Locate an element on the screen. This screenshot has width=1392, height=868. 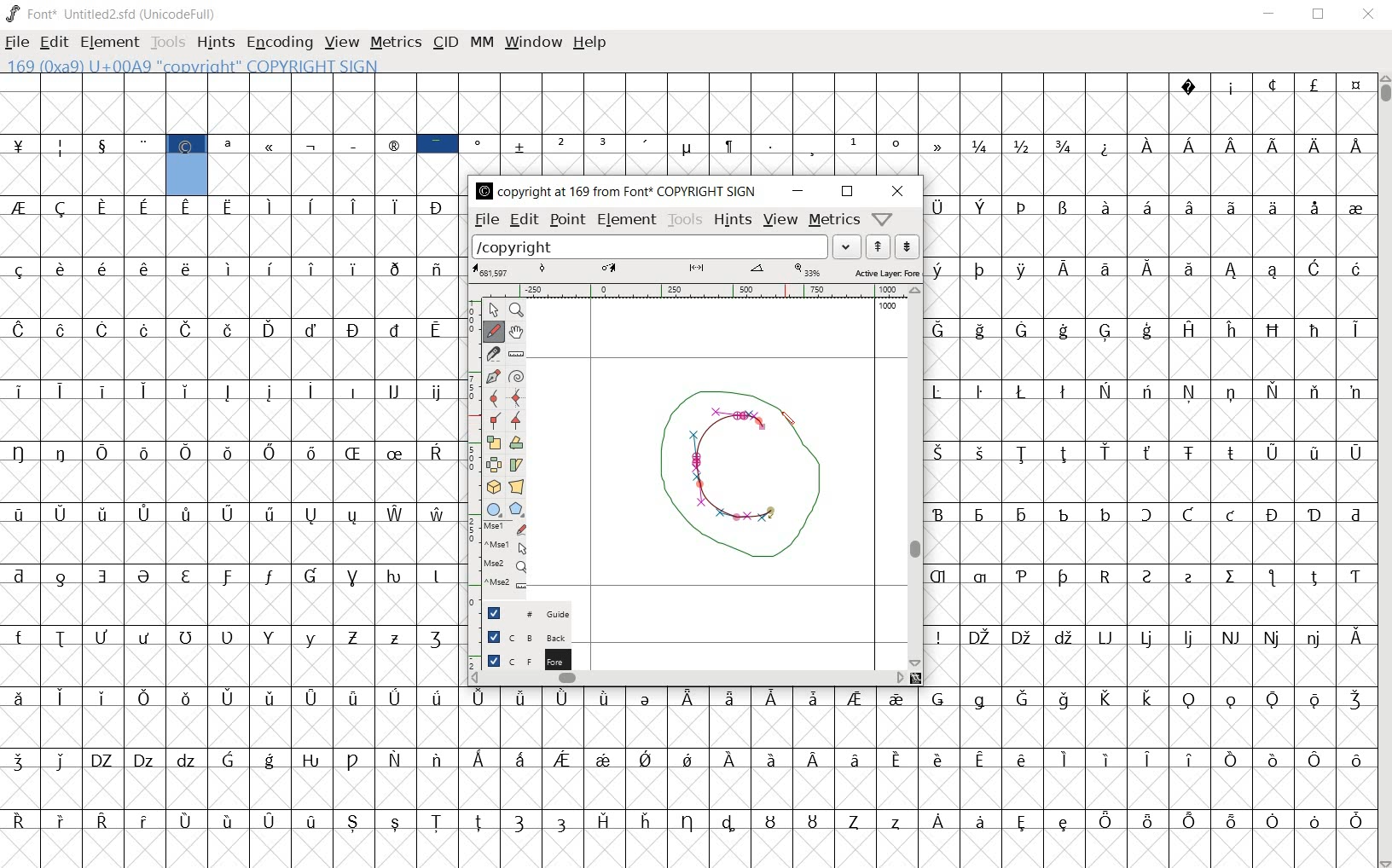
minimize is located at coordinates (797, 191).